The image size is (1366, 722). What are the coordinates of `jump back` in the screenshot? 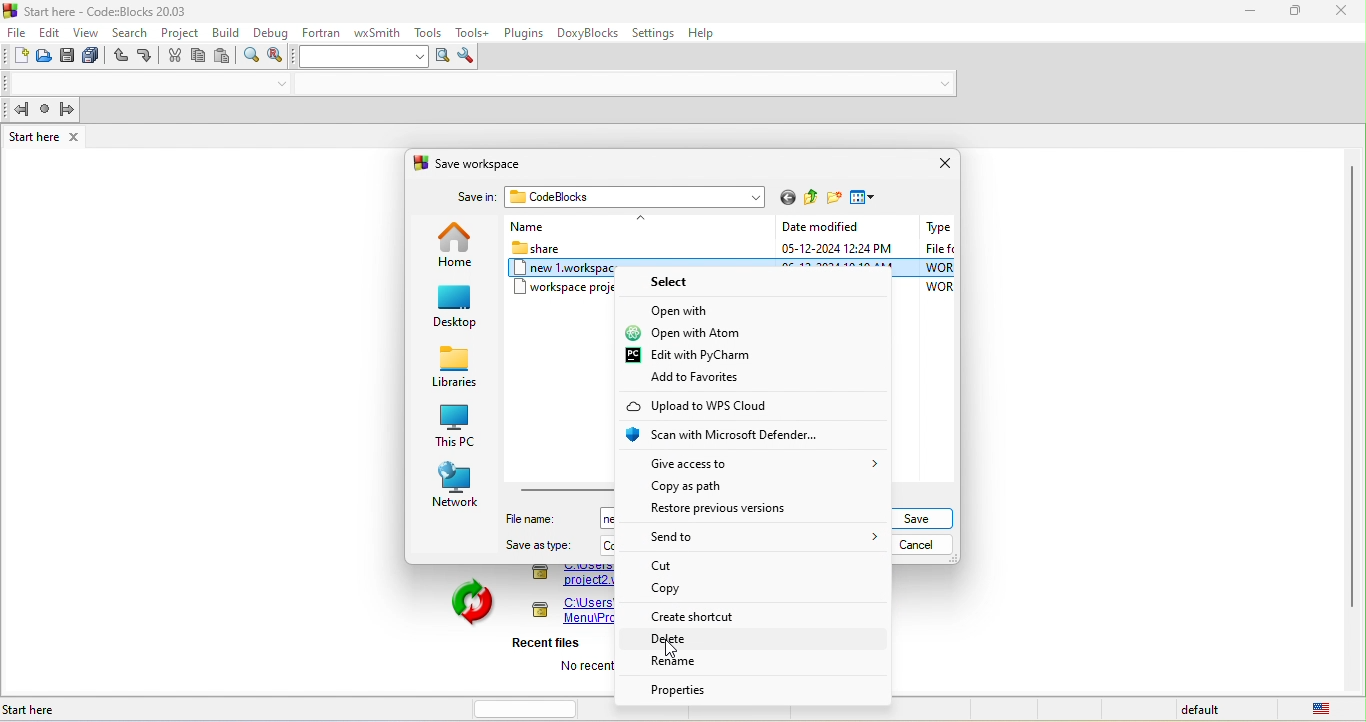 It's located at (18, 110).